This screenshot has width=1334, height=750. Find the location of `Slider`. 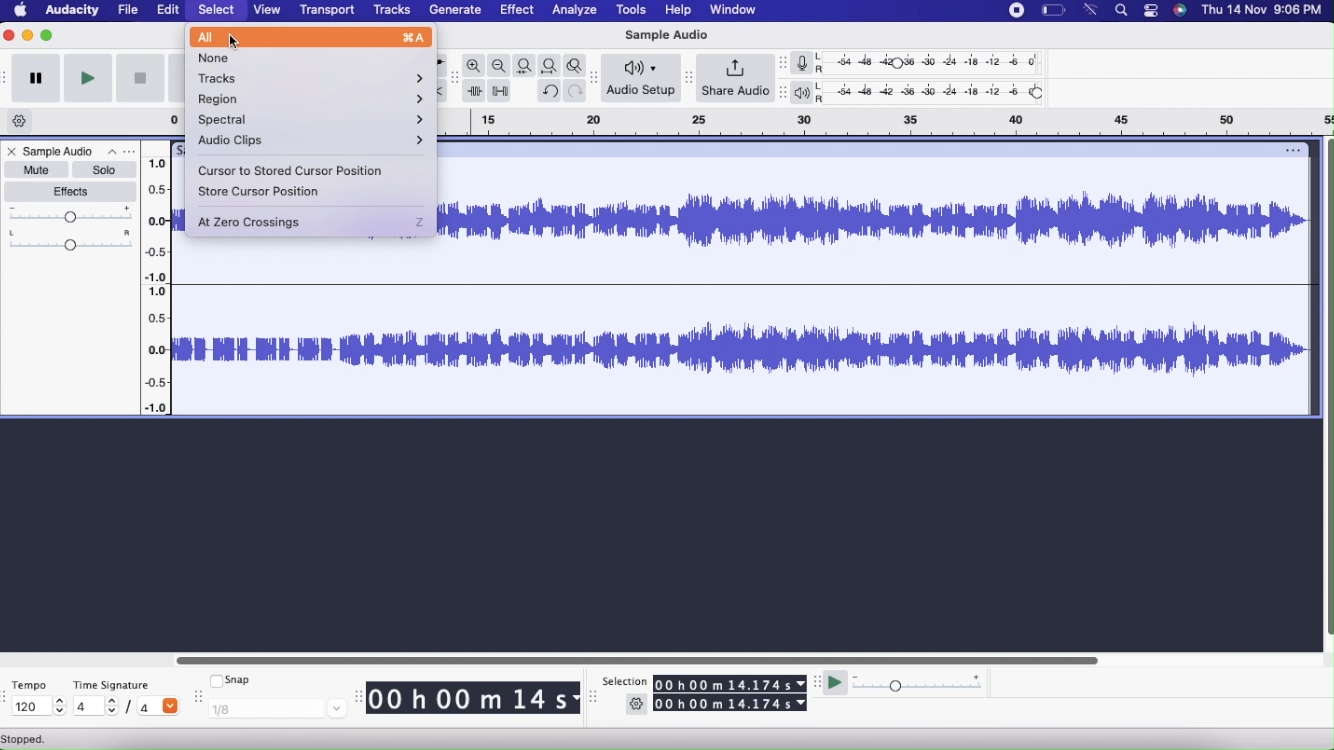

Slider is located at coordinates (157, 282).